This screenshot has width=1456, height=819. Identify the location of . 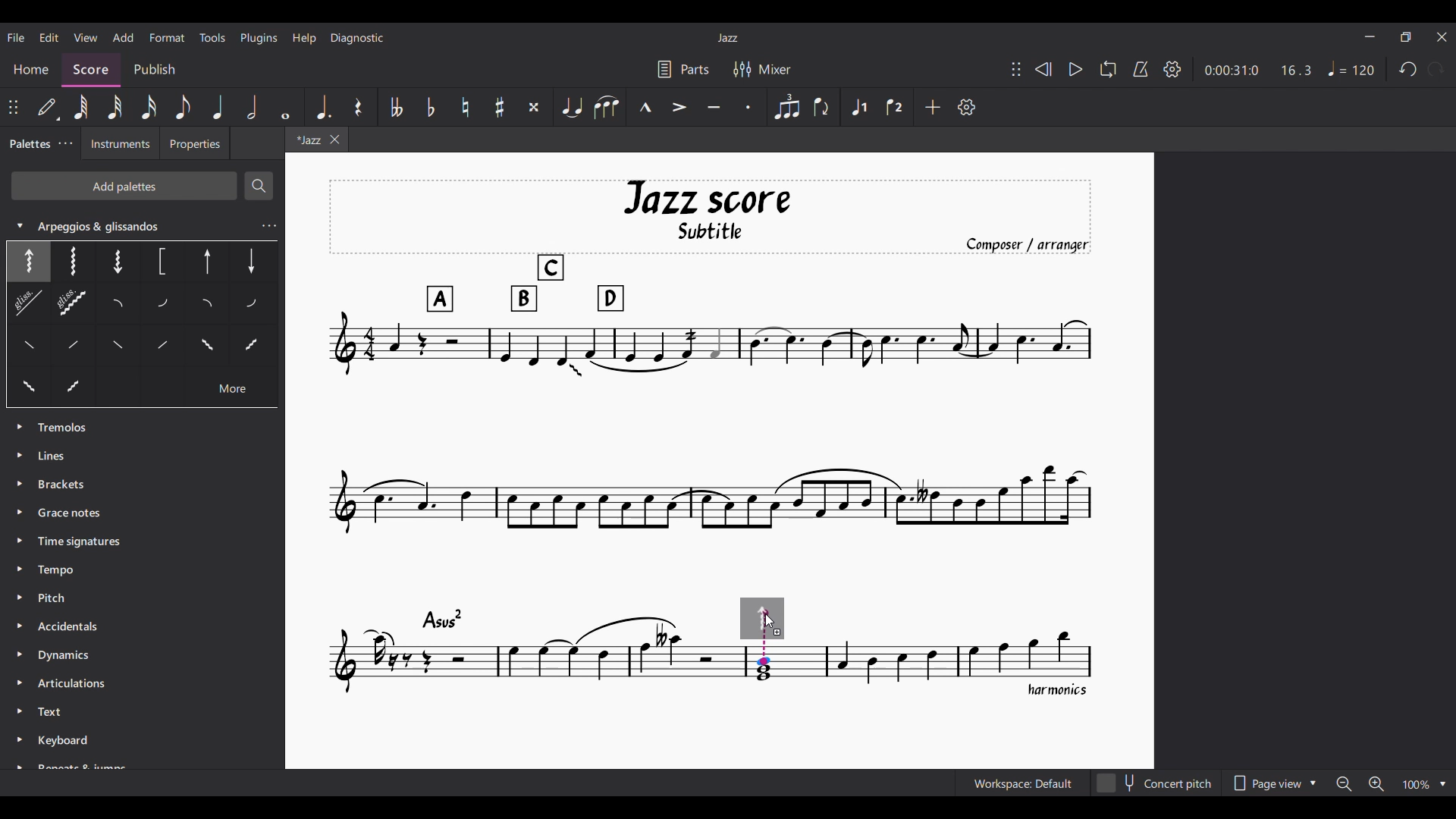
(74, 347).